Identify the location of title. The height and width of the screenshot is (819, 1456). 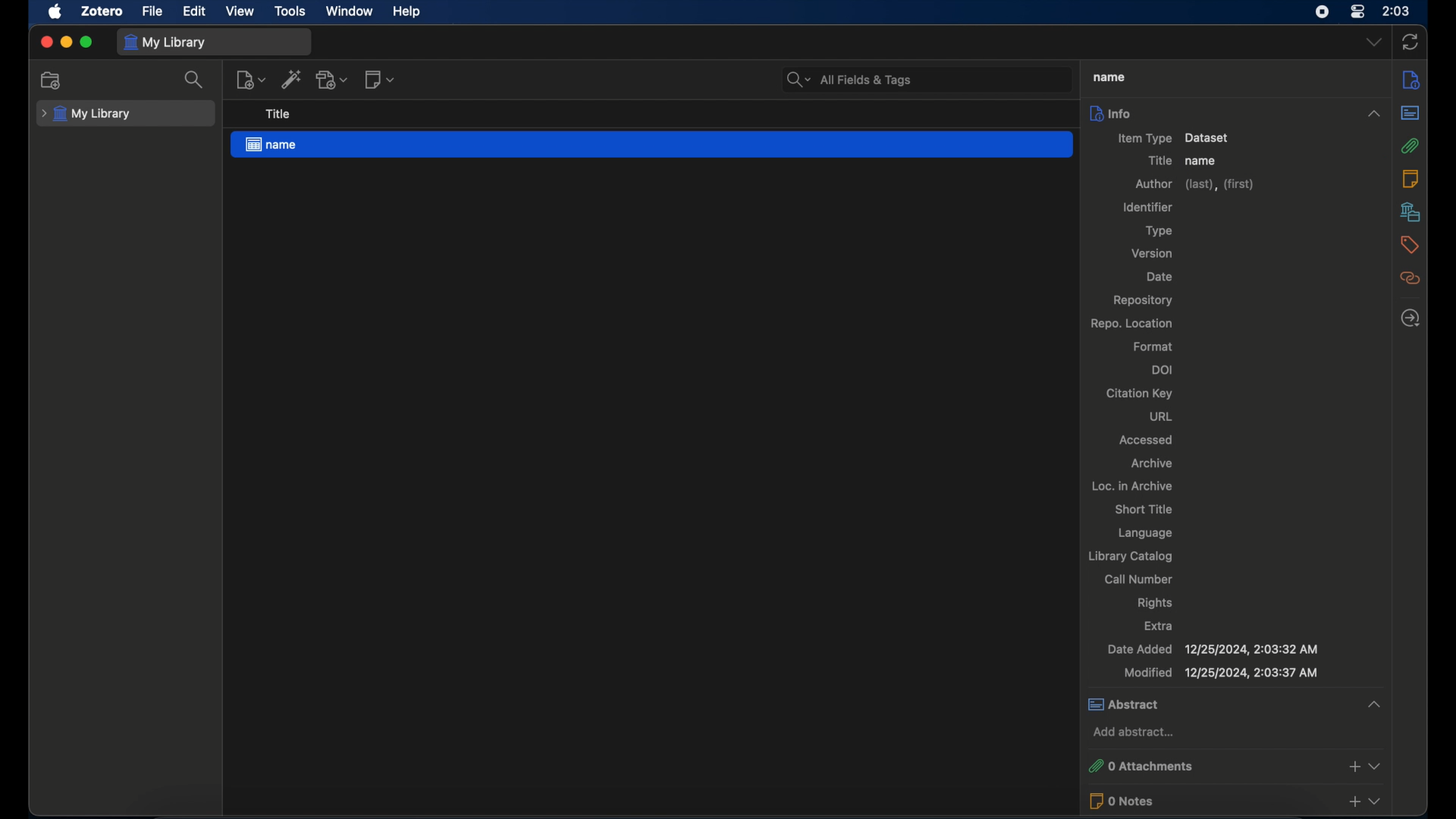
(1159, 161).